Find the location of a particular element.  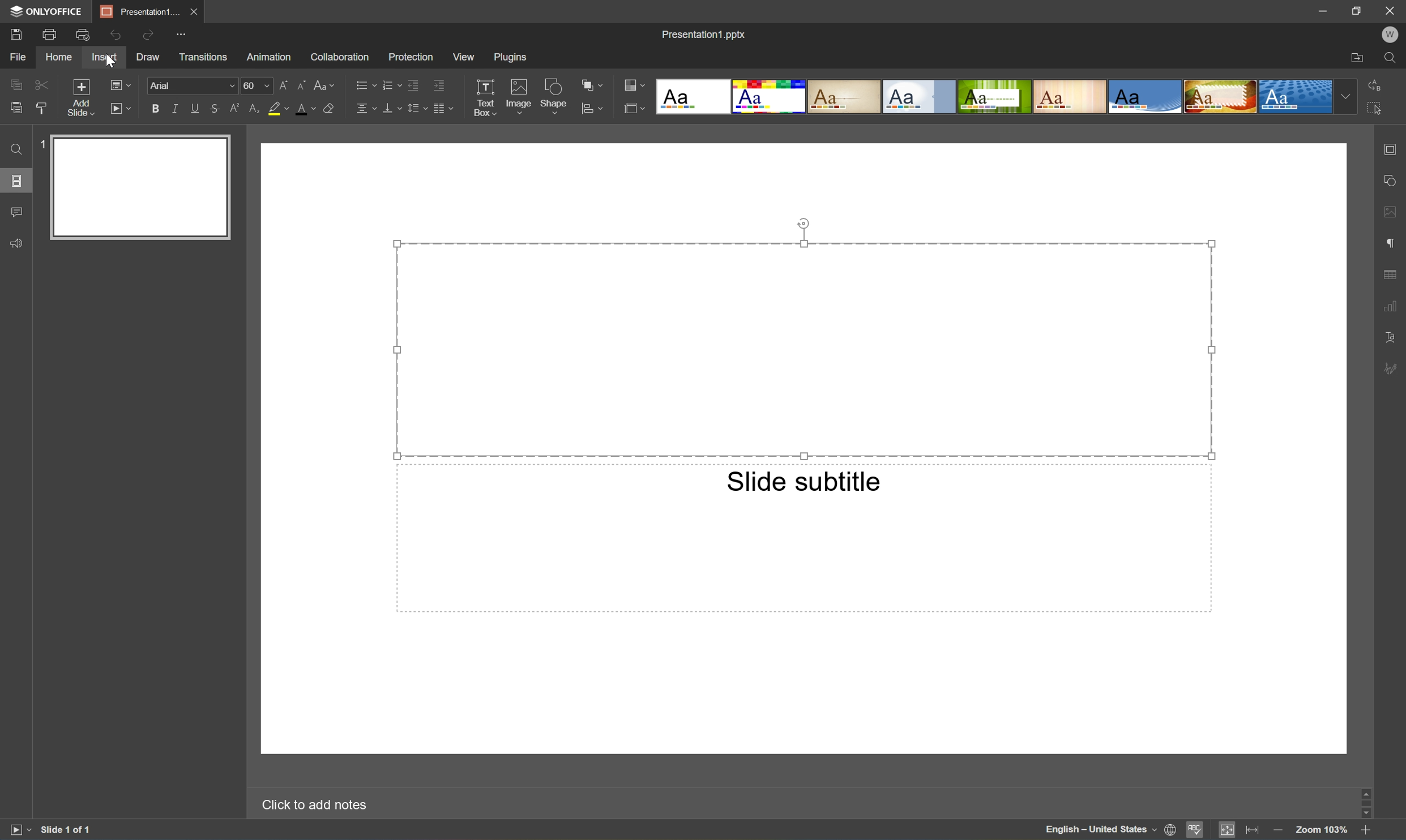

Copy is located at coordinates (13, 83).